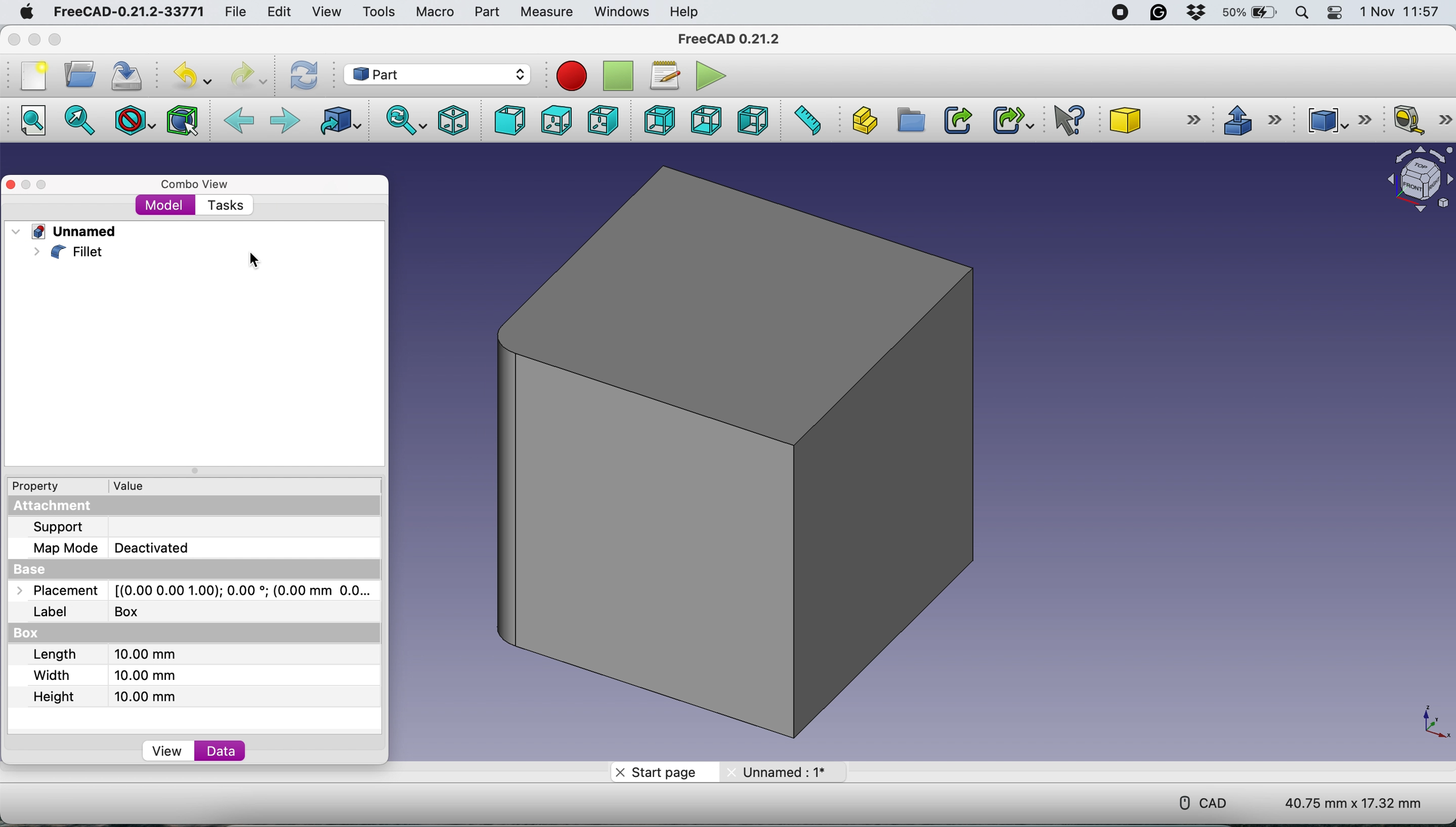  Describe the element at coordinates (72, 233) in the screenshot. I see `unnamed` at that location.